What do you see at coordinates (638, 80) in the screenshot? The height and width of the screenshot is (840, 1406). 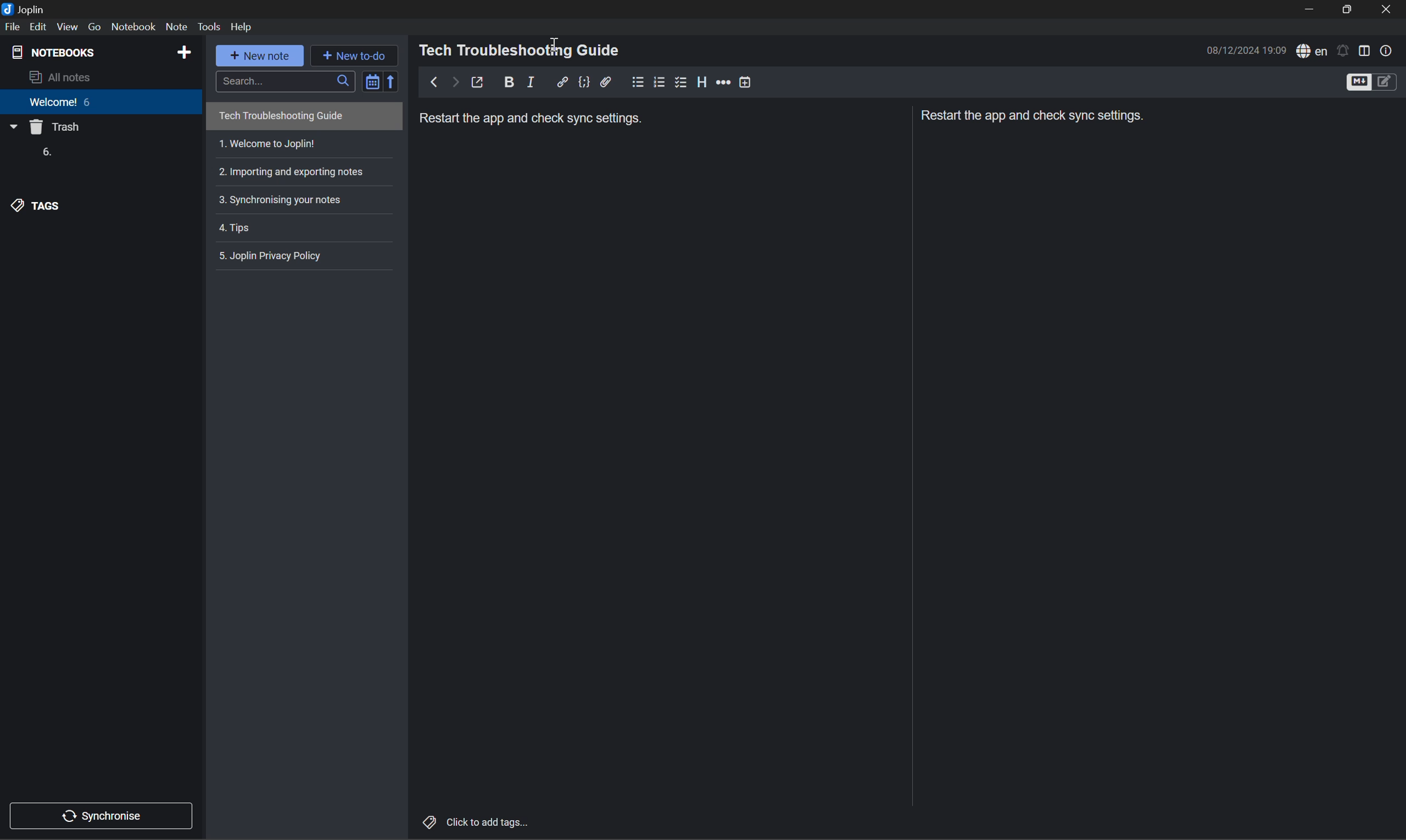 I see `Bullet list` at bounding box center [638, 80].